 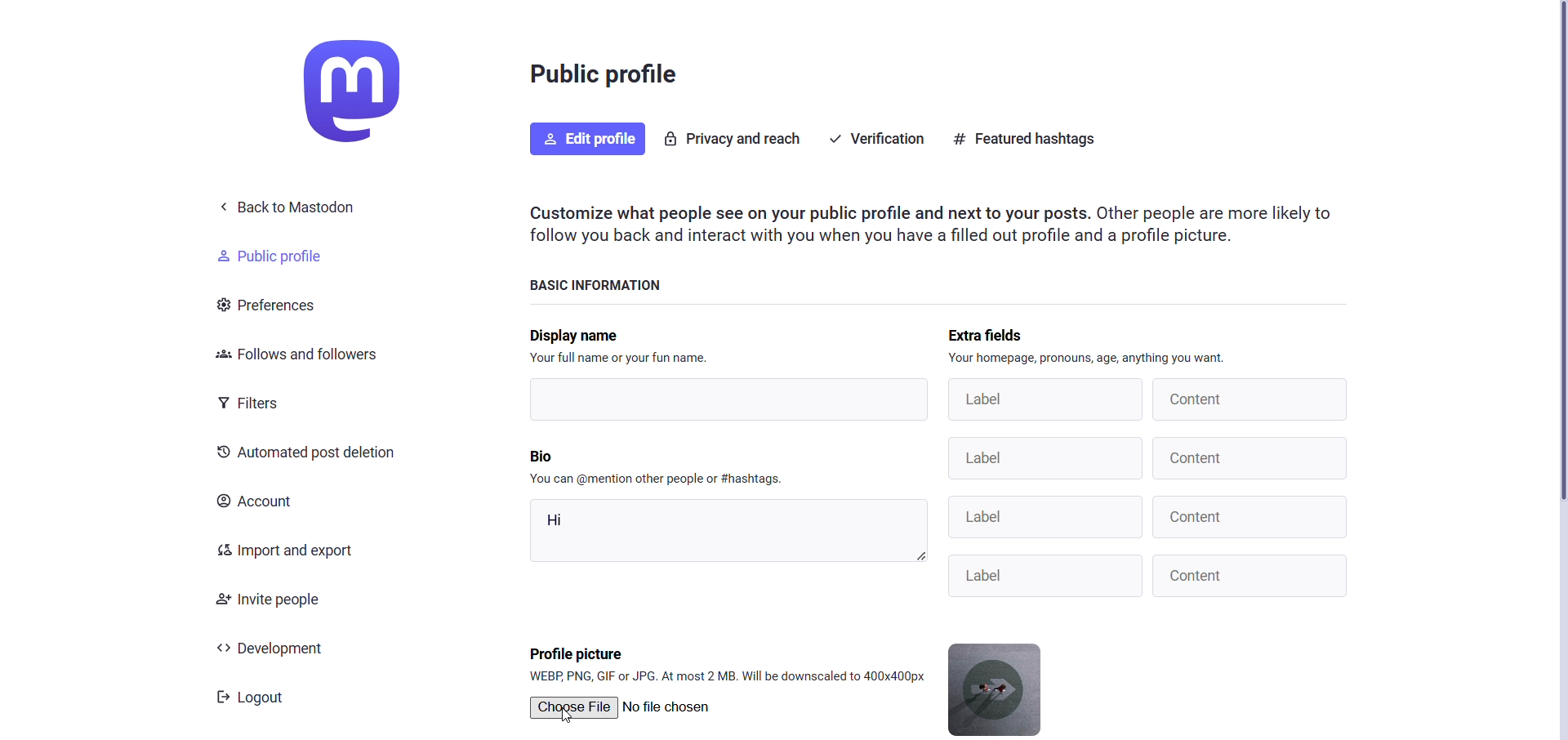 I want to click on public, so click(x=260, y=257).